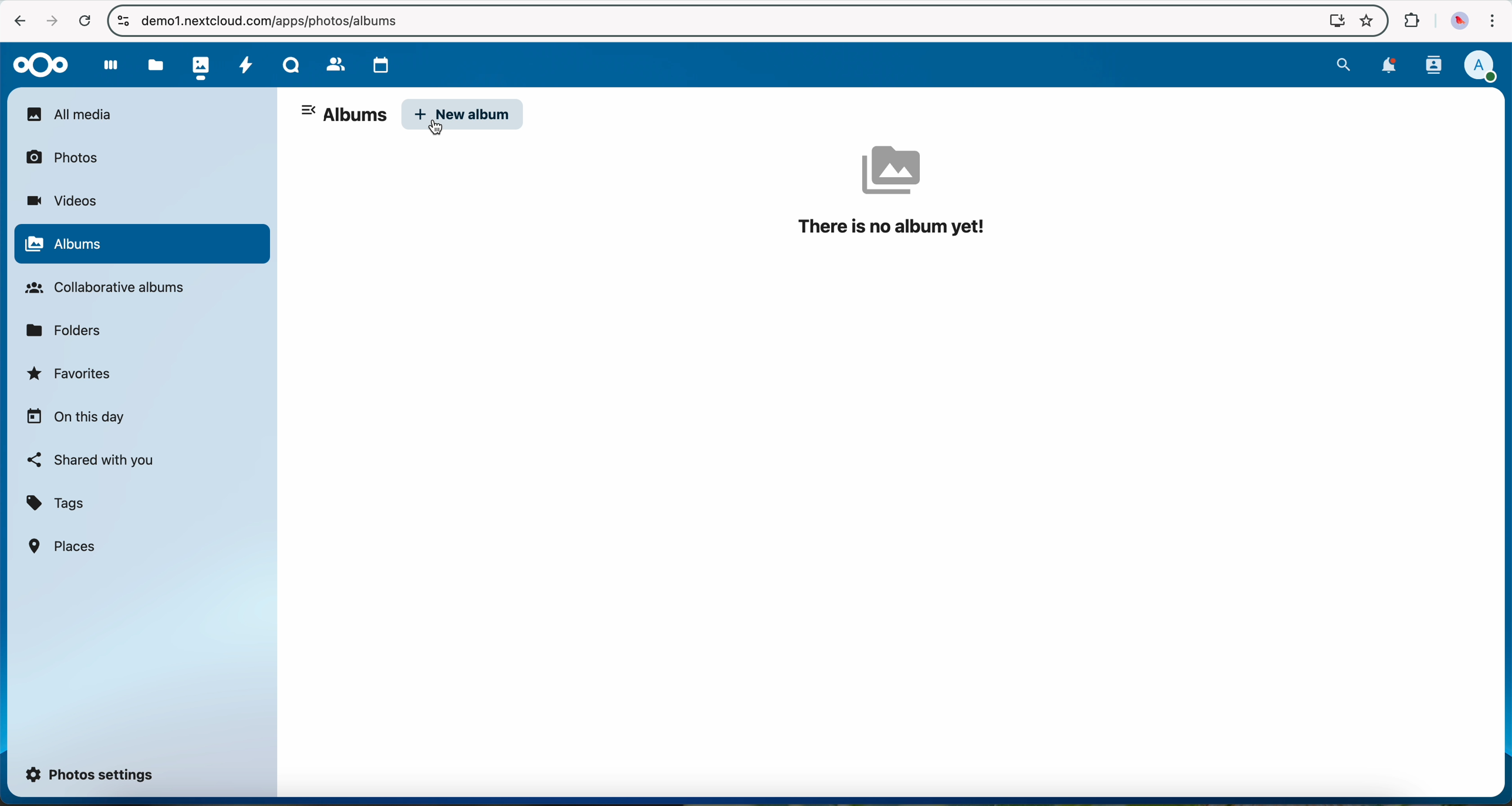 Image resolution: width=1512 pixels, height=806 pixels. I want to click on cursor, so click(443, 129).